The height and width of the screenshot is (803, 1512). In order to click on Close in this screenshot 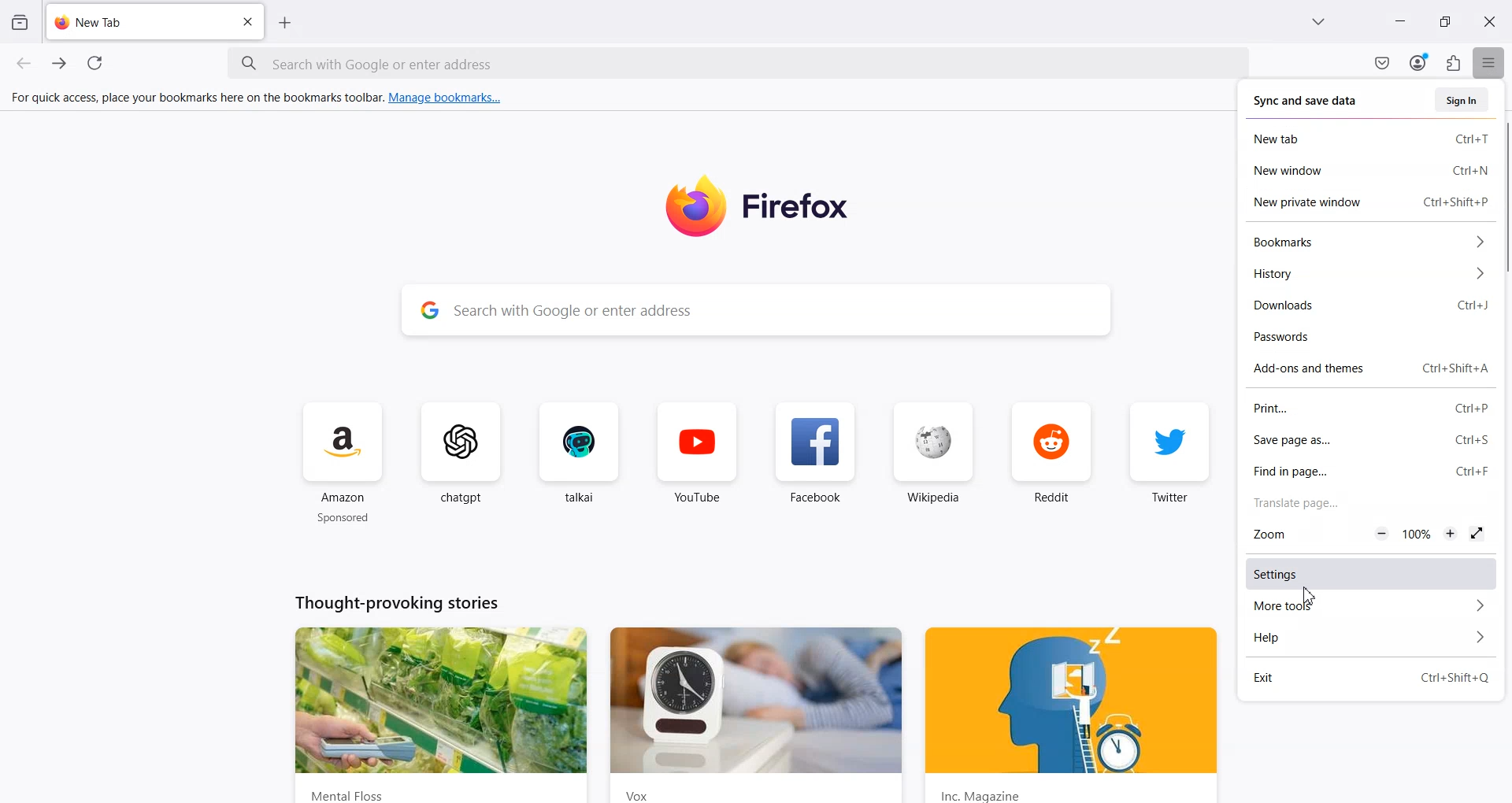, I will do `click(246, 23)`.